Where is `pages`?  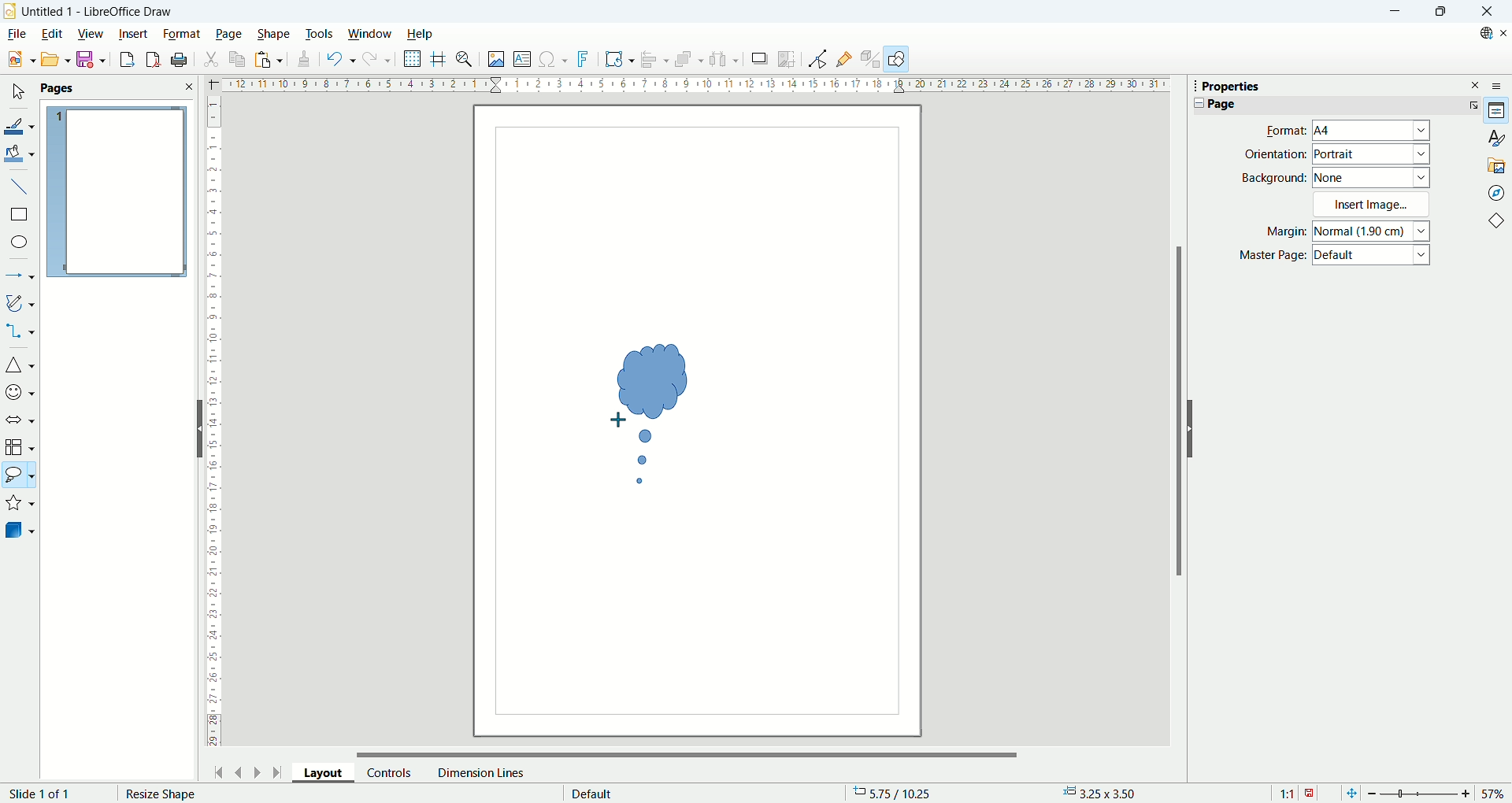 pages is located at coordinates (117, 89).